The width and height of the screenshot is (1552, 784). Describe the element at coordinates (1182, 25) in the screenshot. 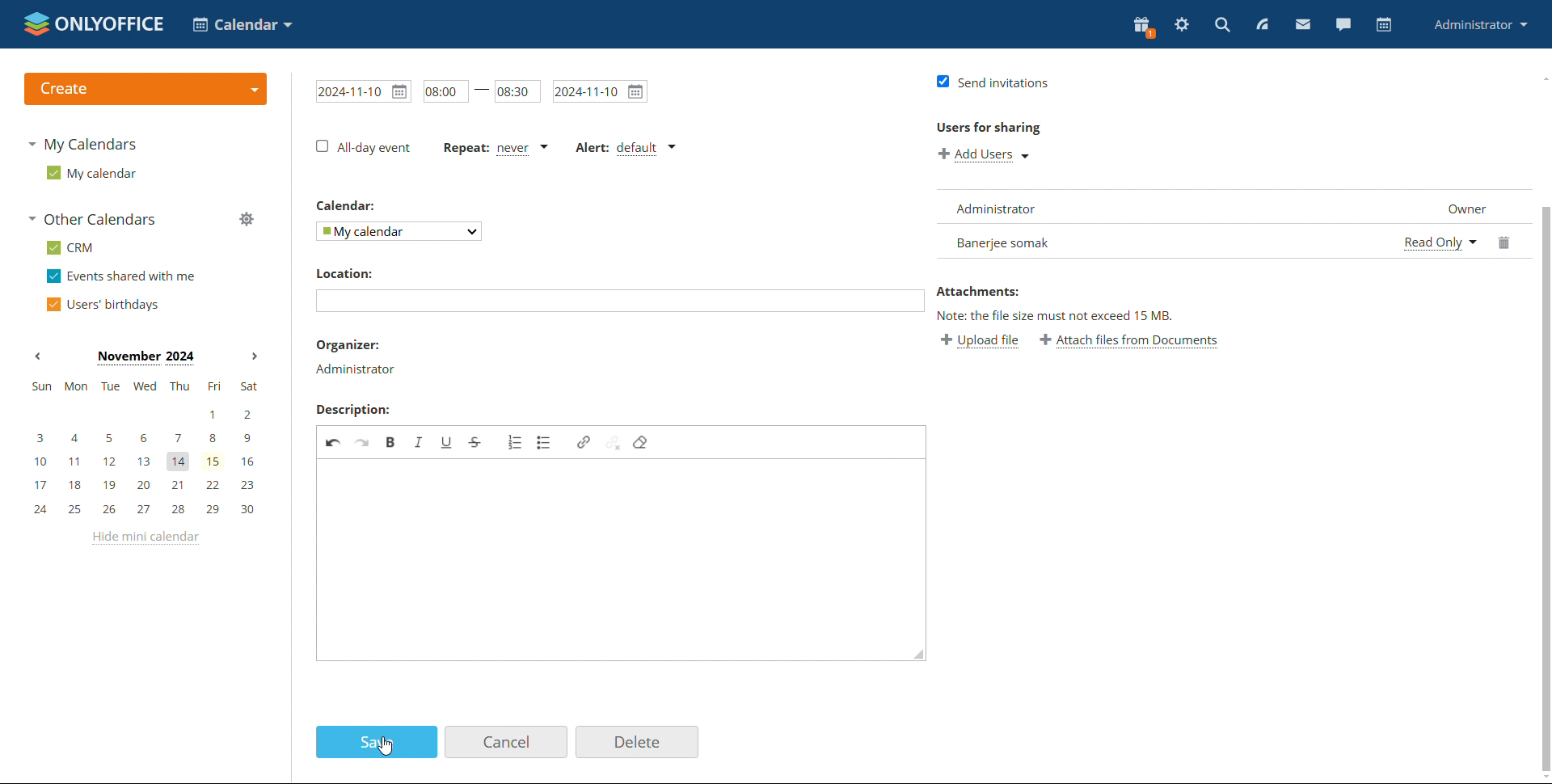

I see `settings` at that location.